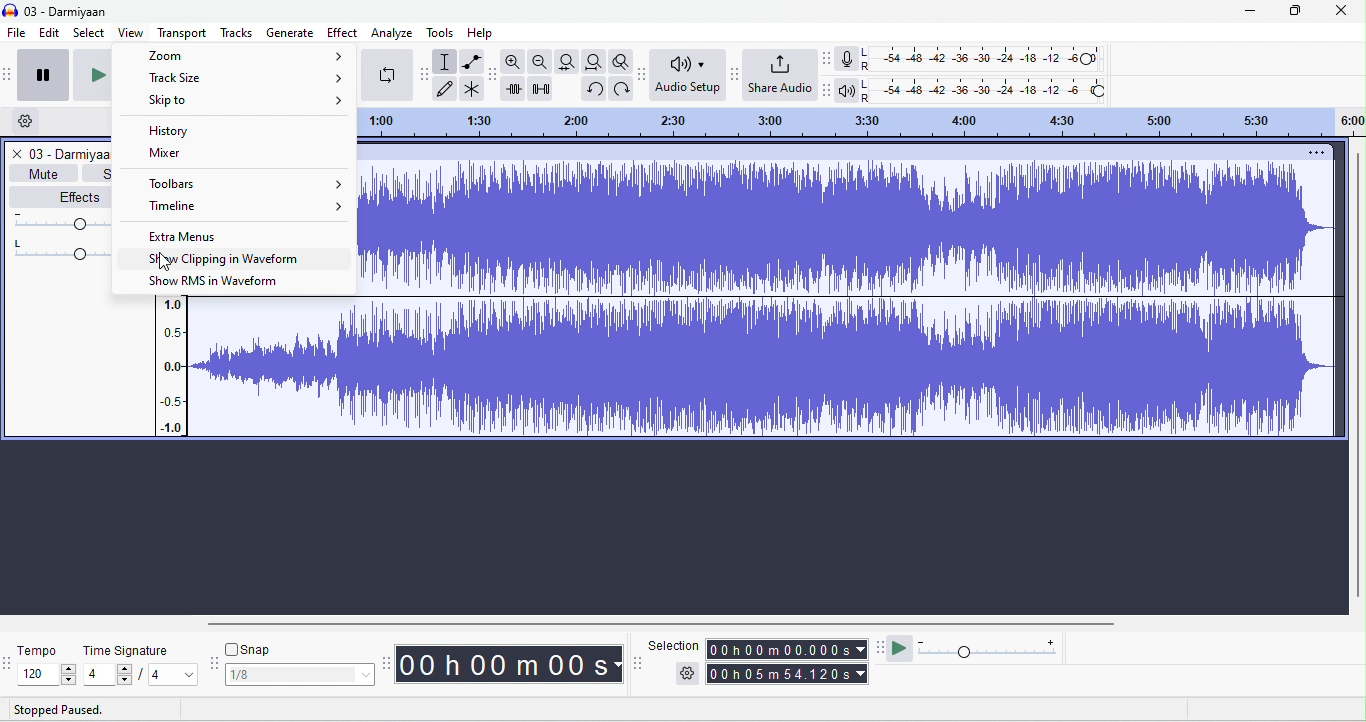 The height and width of the screenshot is (722, 1366). I want to click on view, so click(132, 32).